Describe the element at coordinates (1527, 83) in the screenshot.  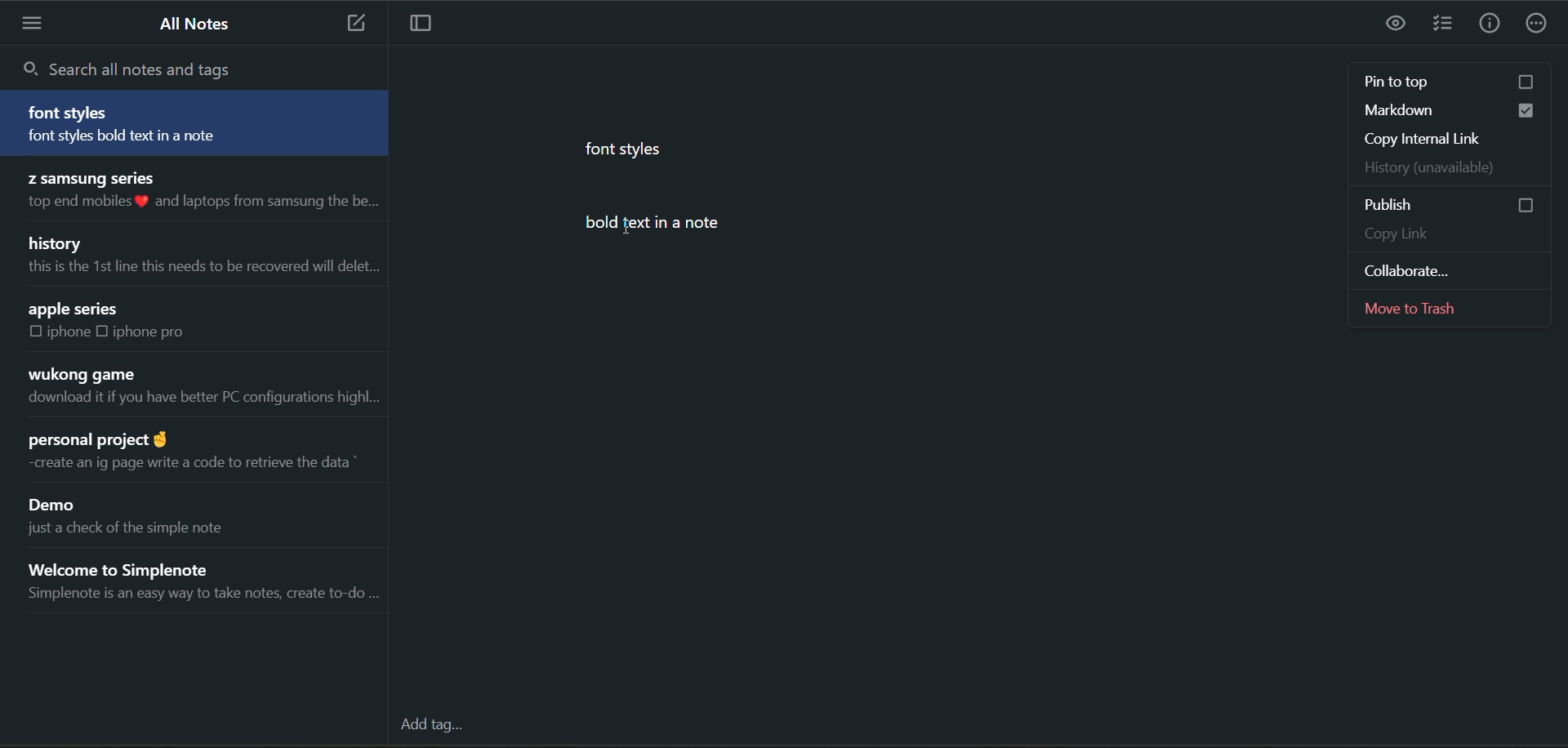
I see `checkbox` at that location.